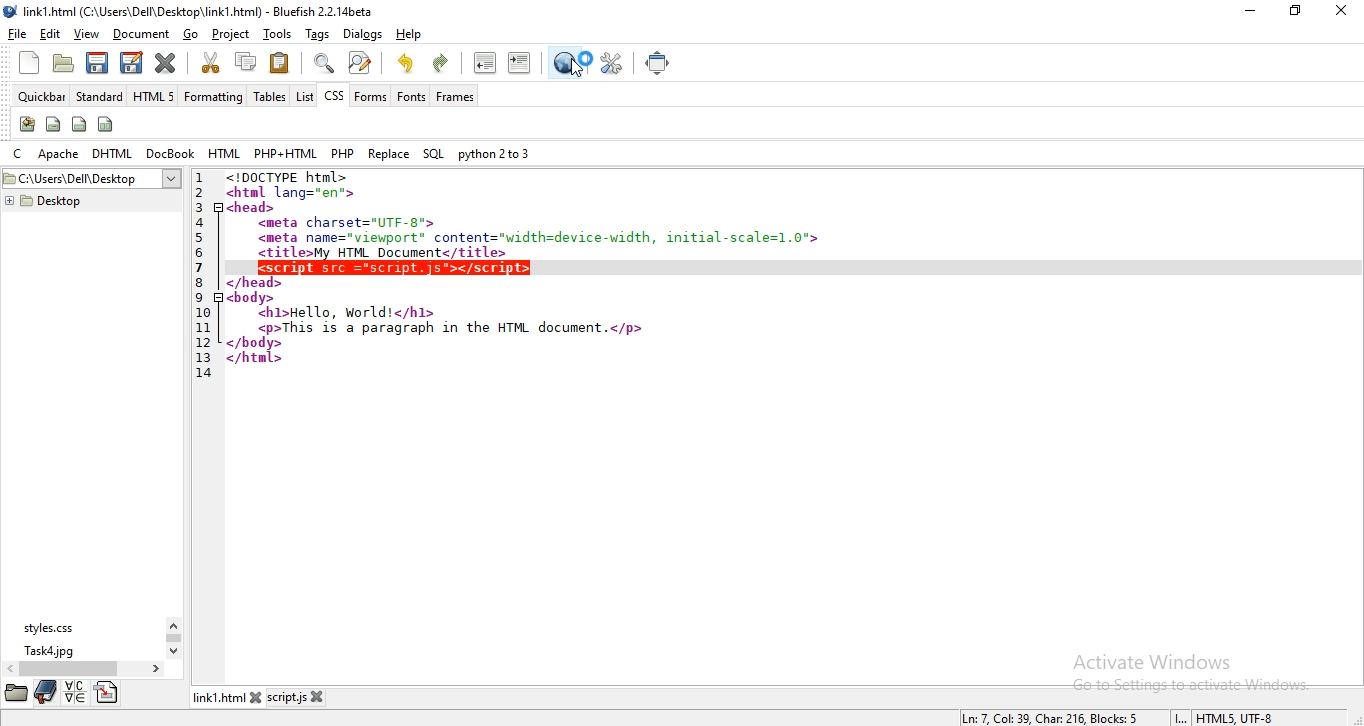 The image size is (1364, 726). What do you see at coordinates (397, 267) in the screenshot?
I see `code added` at bounding box center [397, 267].